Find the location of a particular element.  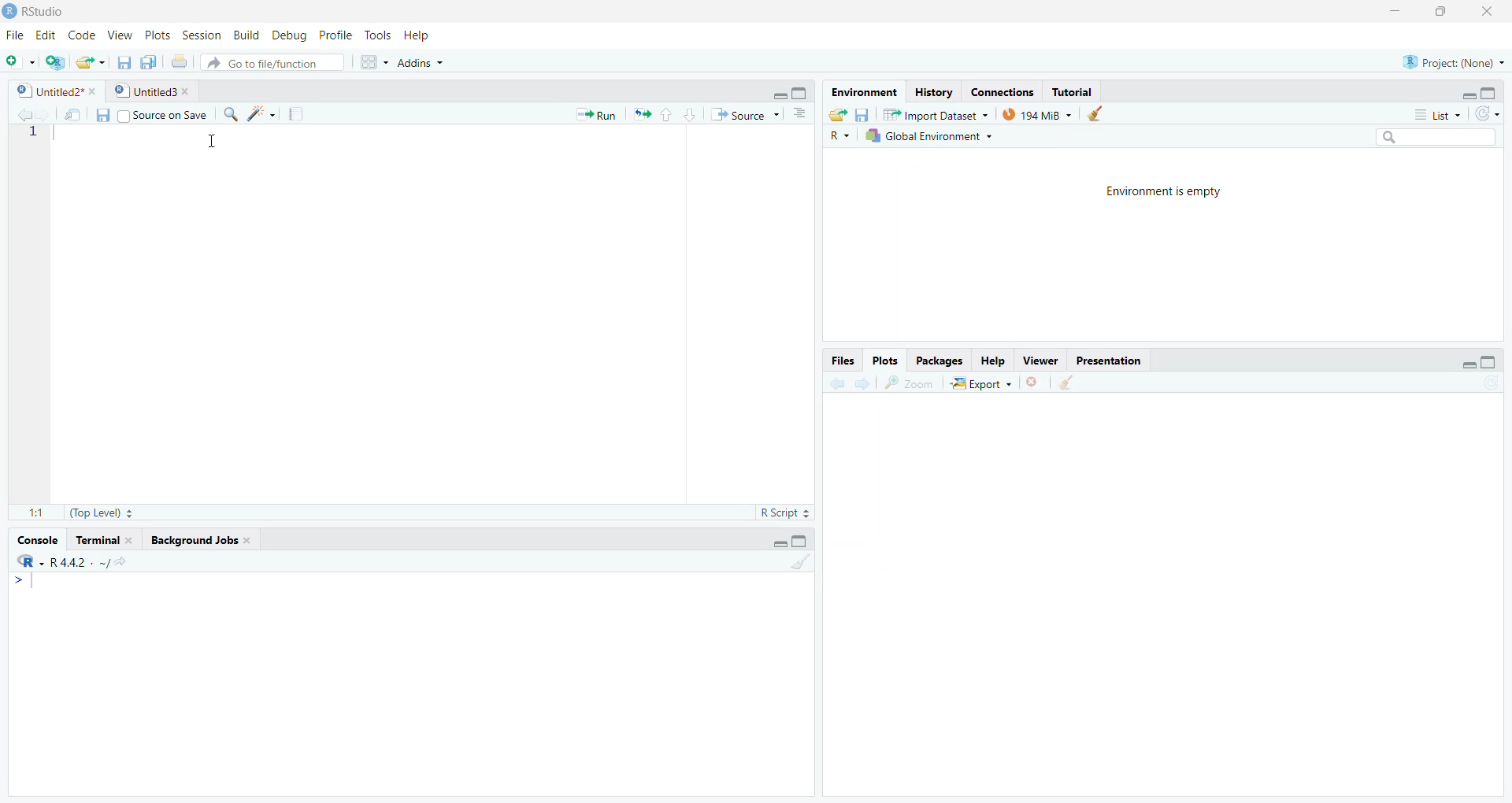

move back is located at coordinates (22, 114).